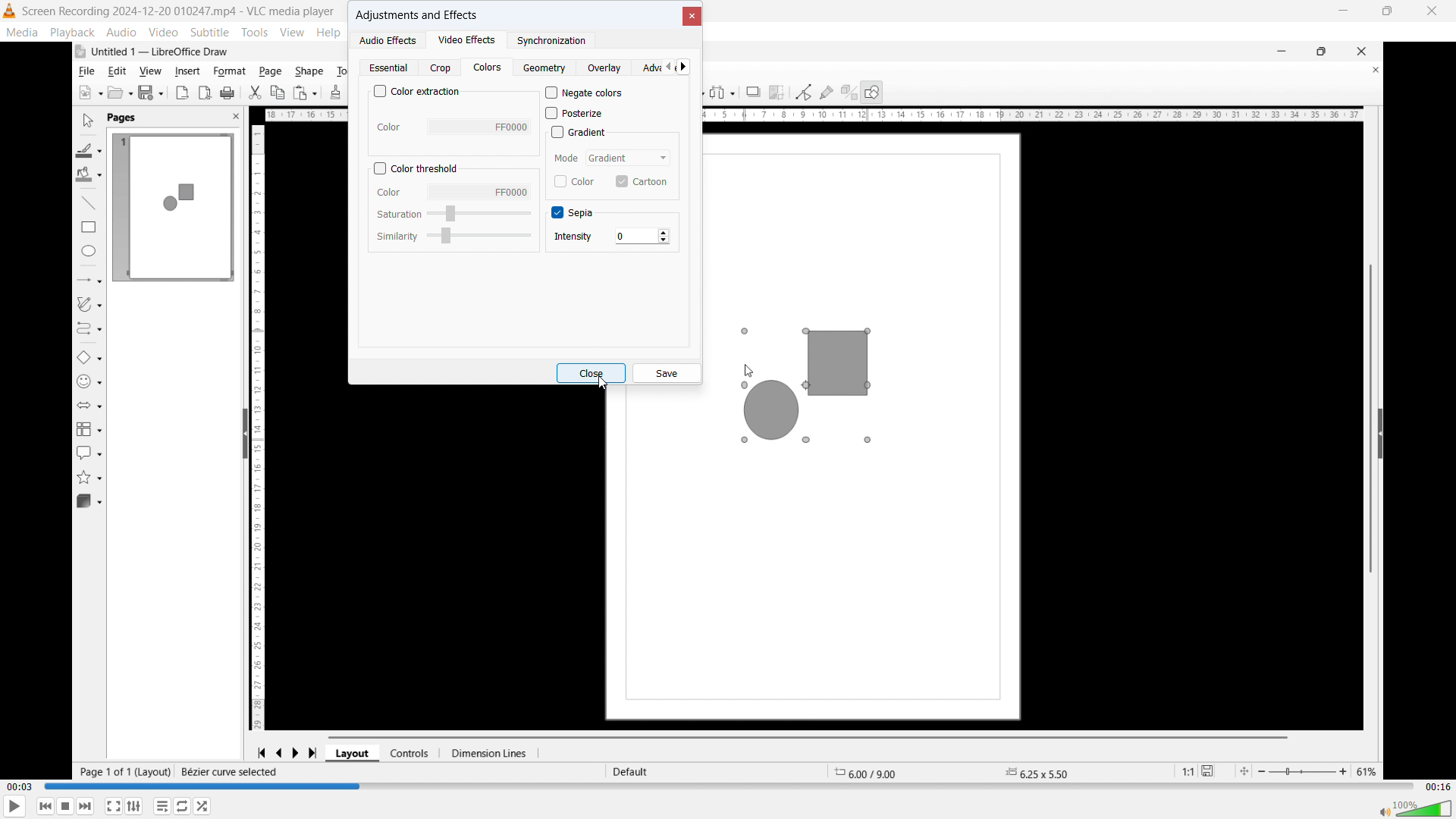 This screenshot has width=1456, height=819. I want to click on close , so click(591, 373).